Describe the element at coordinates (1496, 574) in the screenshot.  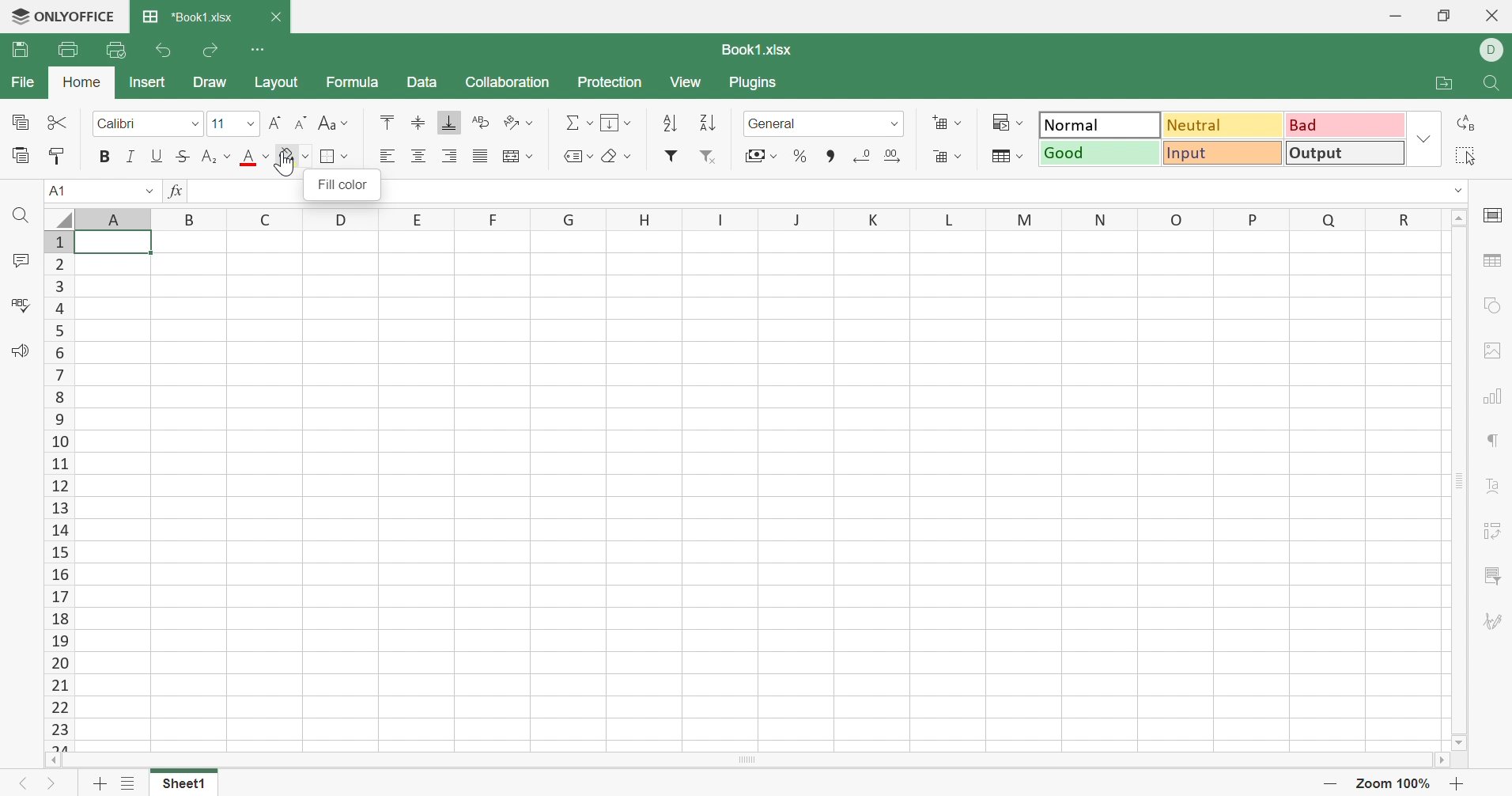
I see `Slicer settings` at that location.